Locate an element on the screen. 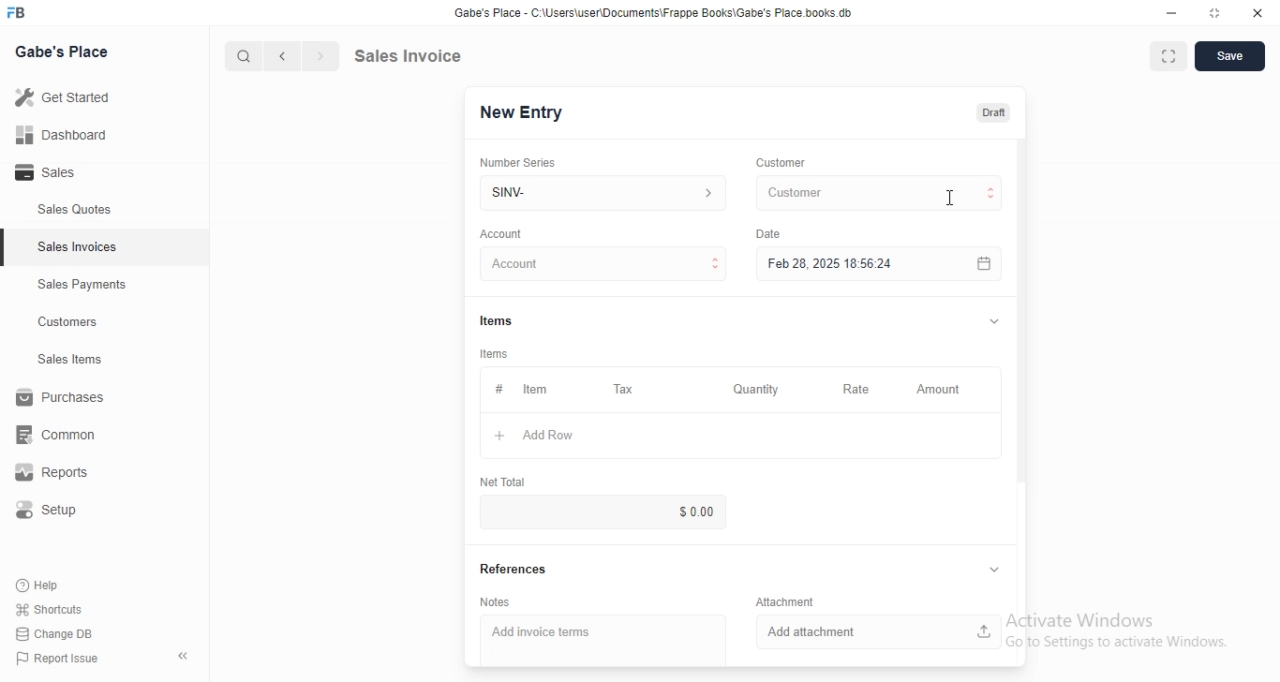  Purchases is located at coordinates (64, 400).